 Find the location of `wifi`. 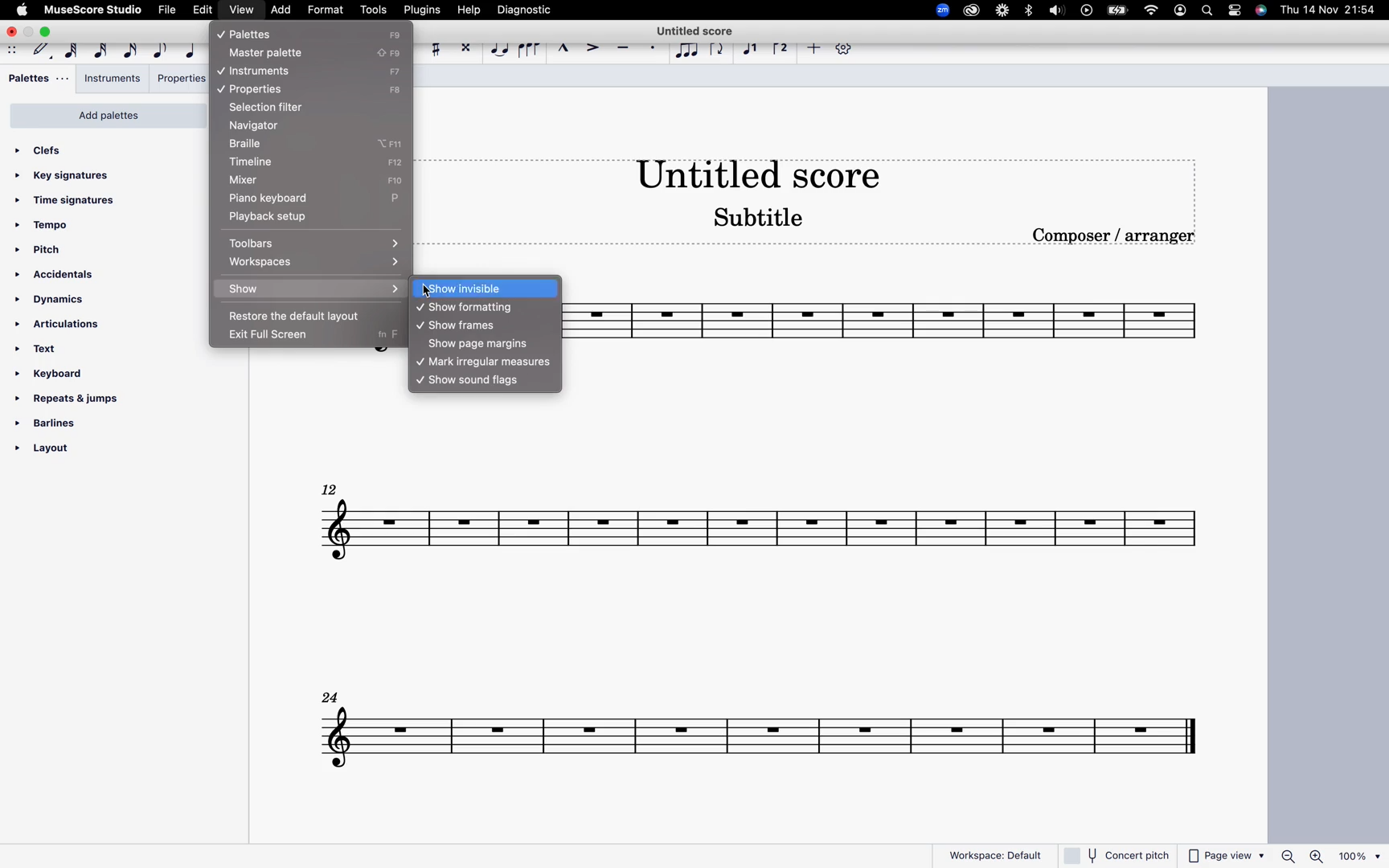

wifi is located at coordinates (1151, 10).